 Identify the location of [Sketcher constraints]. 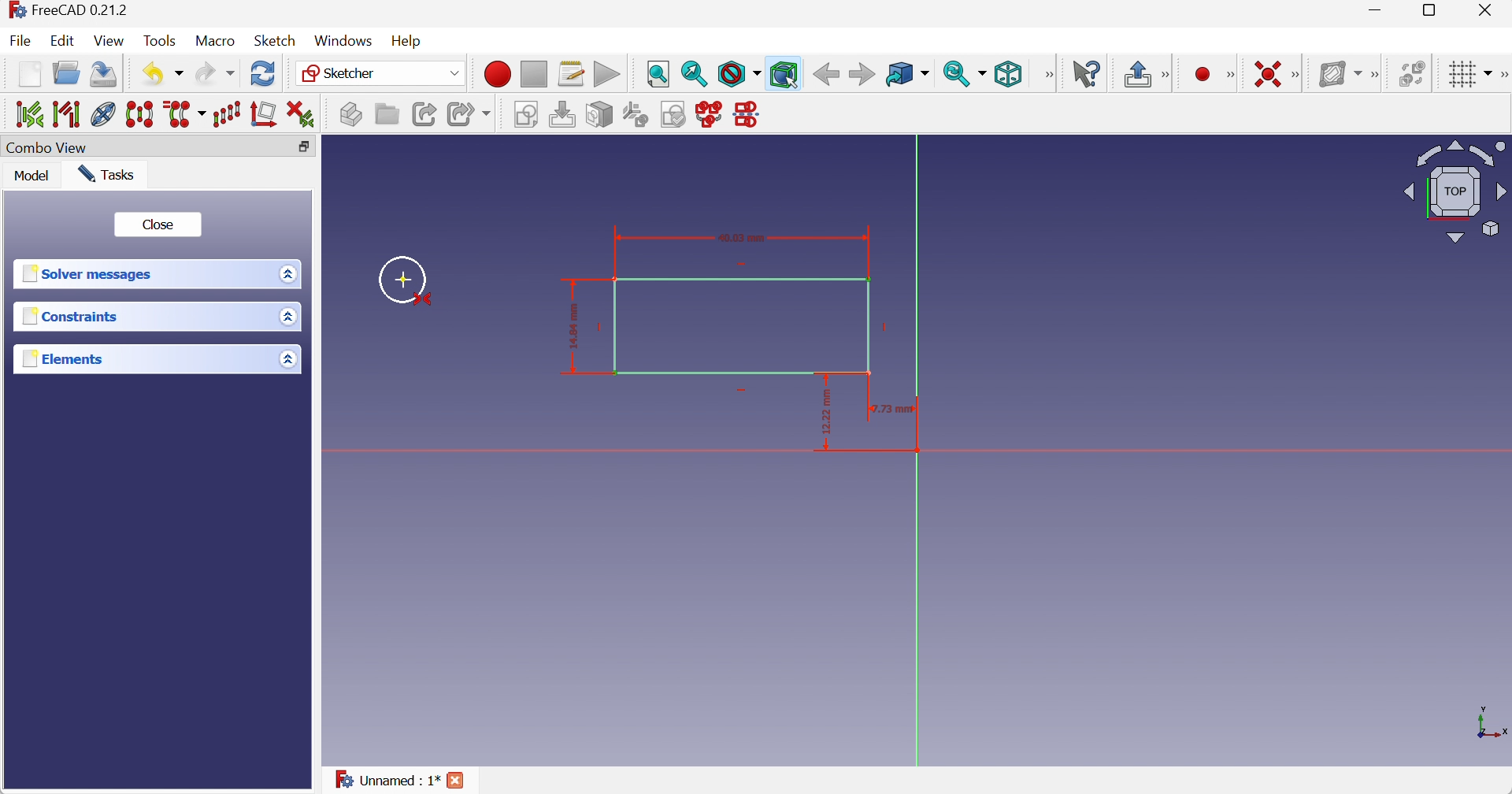
(1299, 74).